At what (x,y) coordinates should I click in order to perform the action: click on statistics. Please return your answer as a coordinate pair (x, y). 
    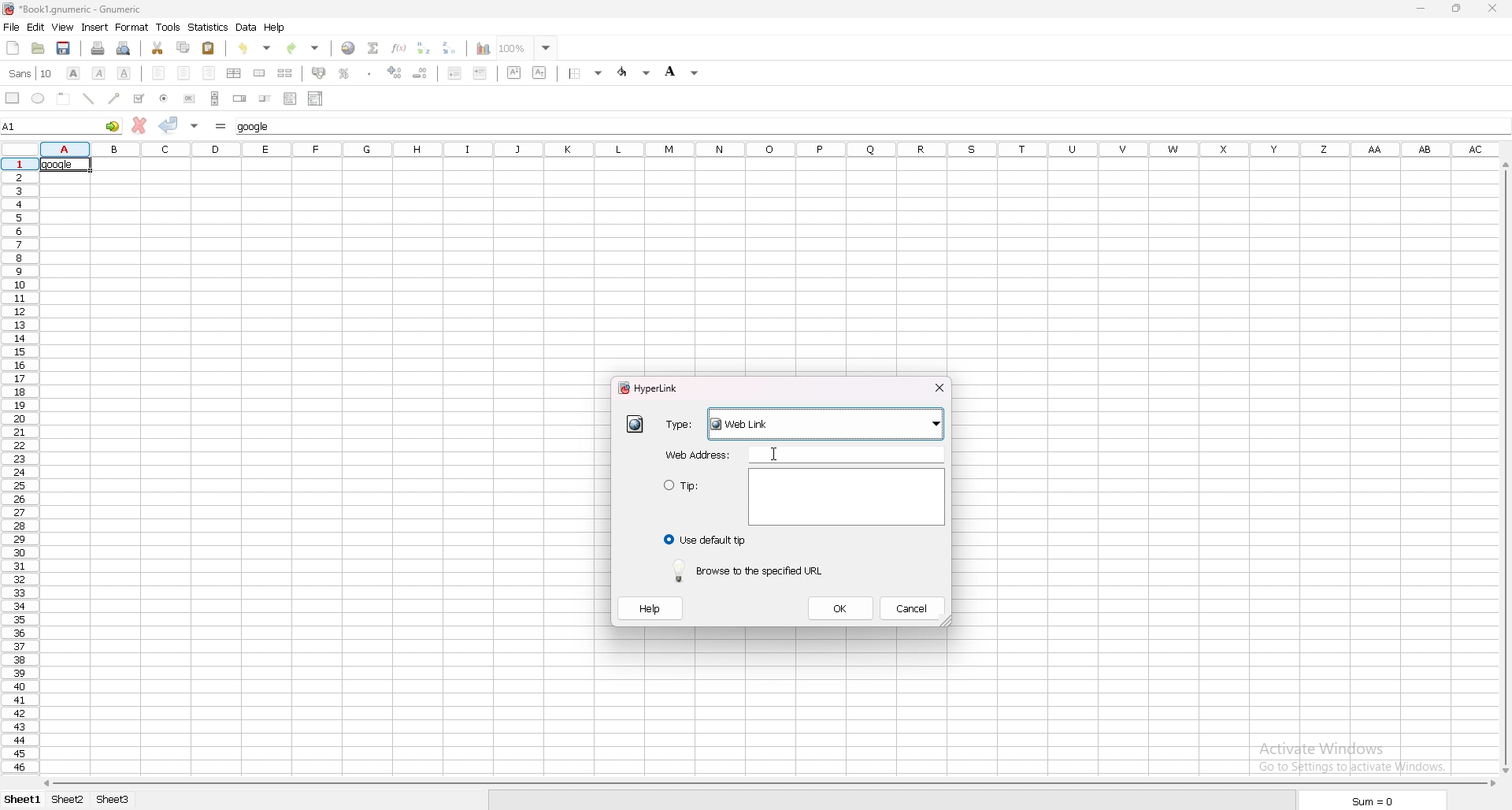
    Looking at the image, I should click on (209, 28).